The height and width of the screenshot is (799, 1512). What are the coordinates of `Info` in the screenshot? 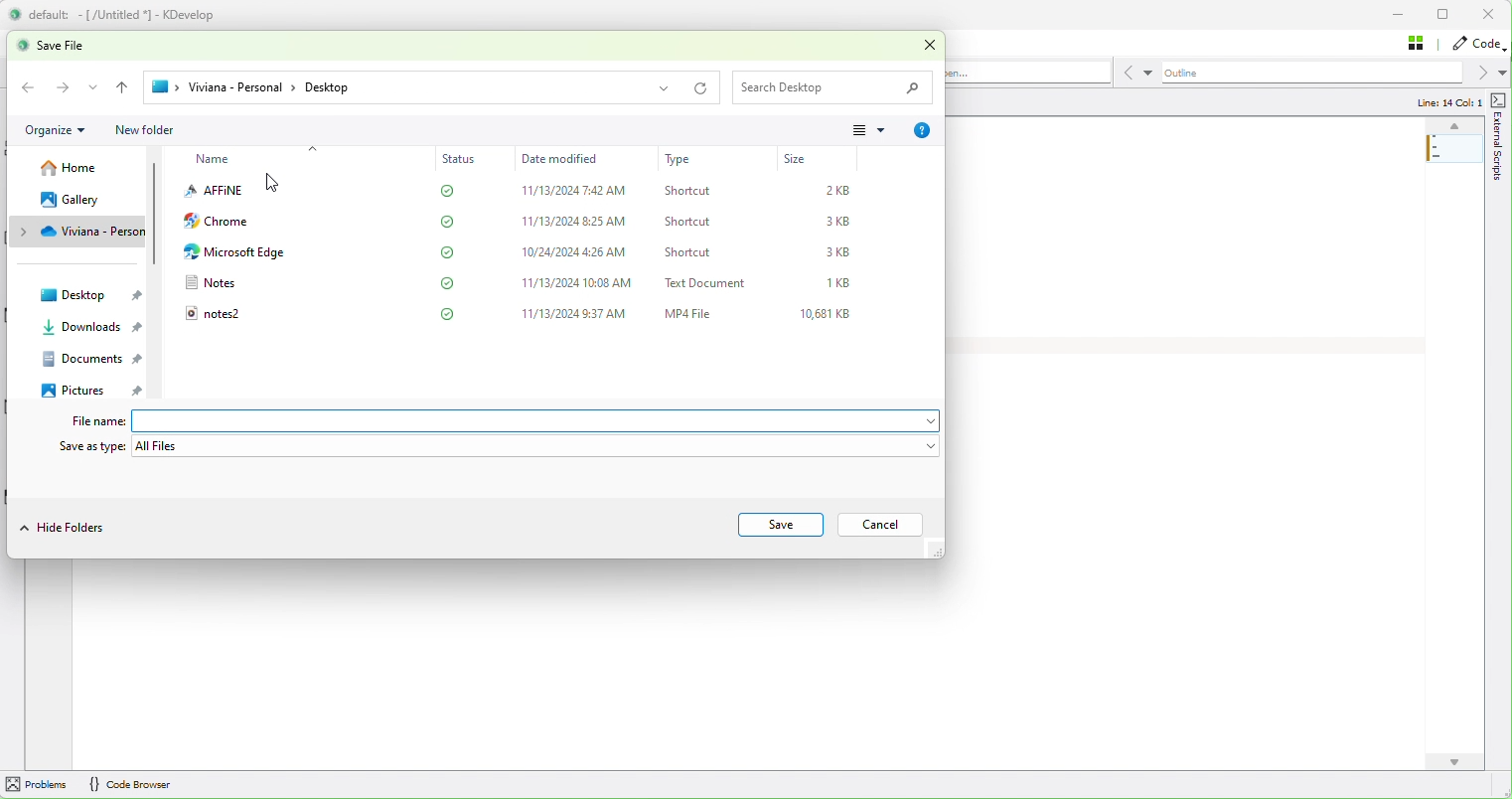 It's located at (922, 131).